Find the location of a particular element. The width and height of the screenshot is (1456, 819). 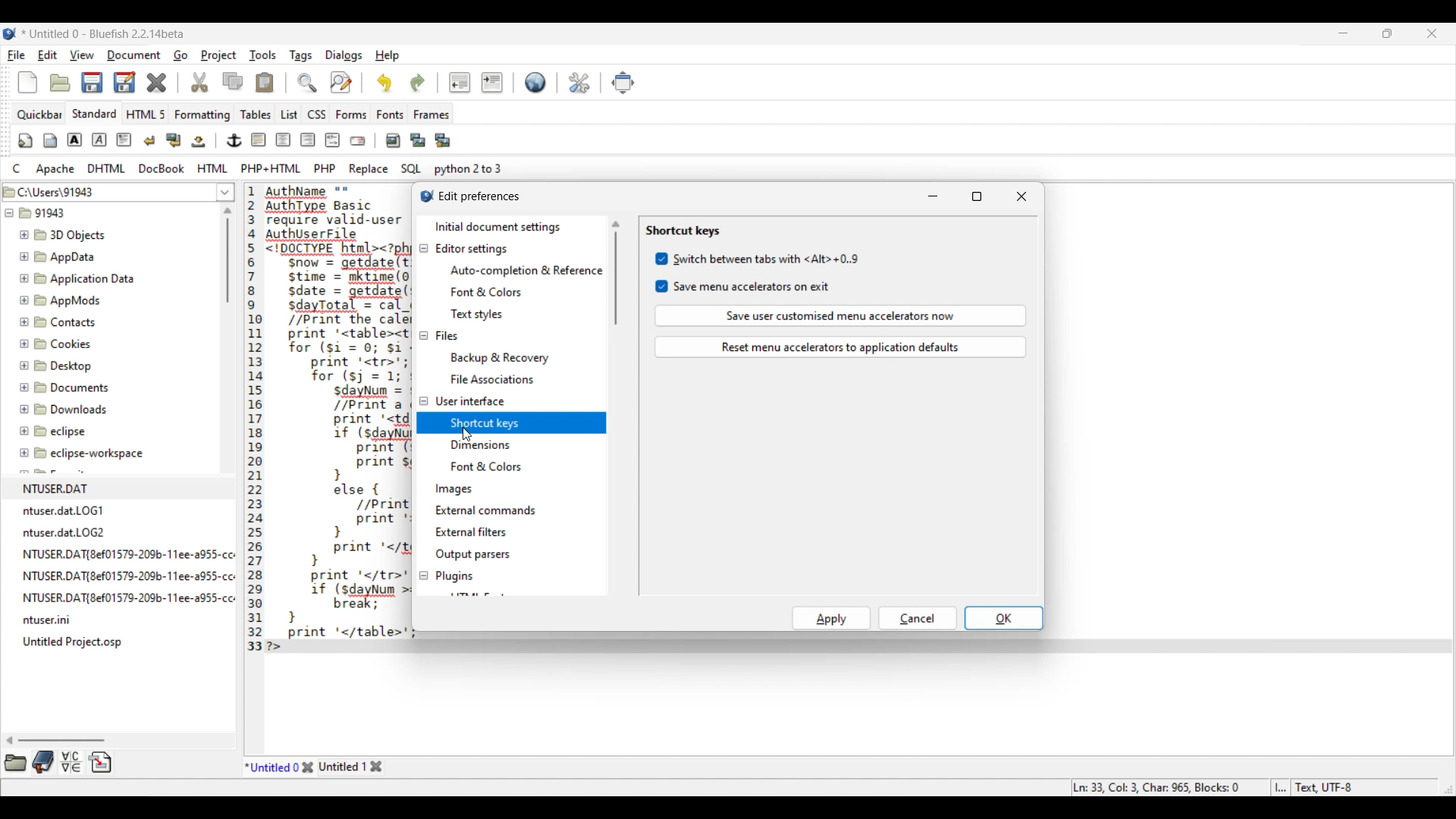

NTUSER.DATI8ef01579-209b-11ee-2955-cc+ is located at coordinates (127, 573).